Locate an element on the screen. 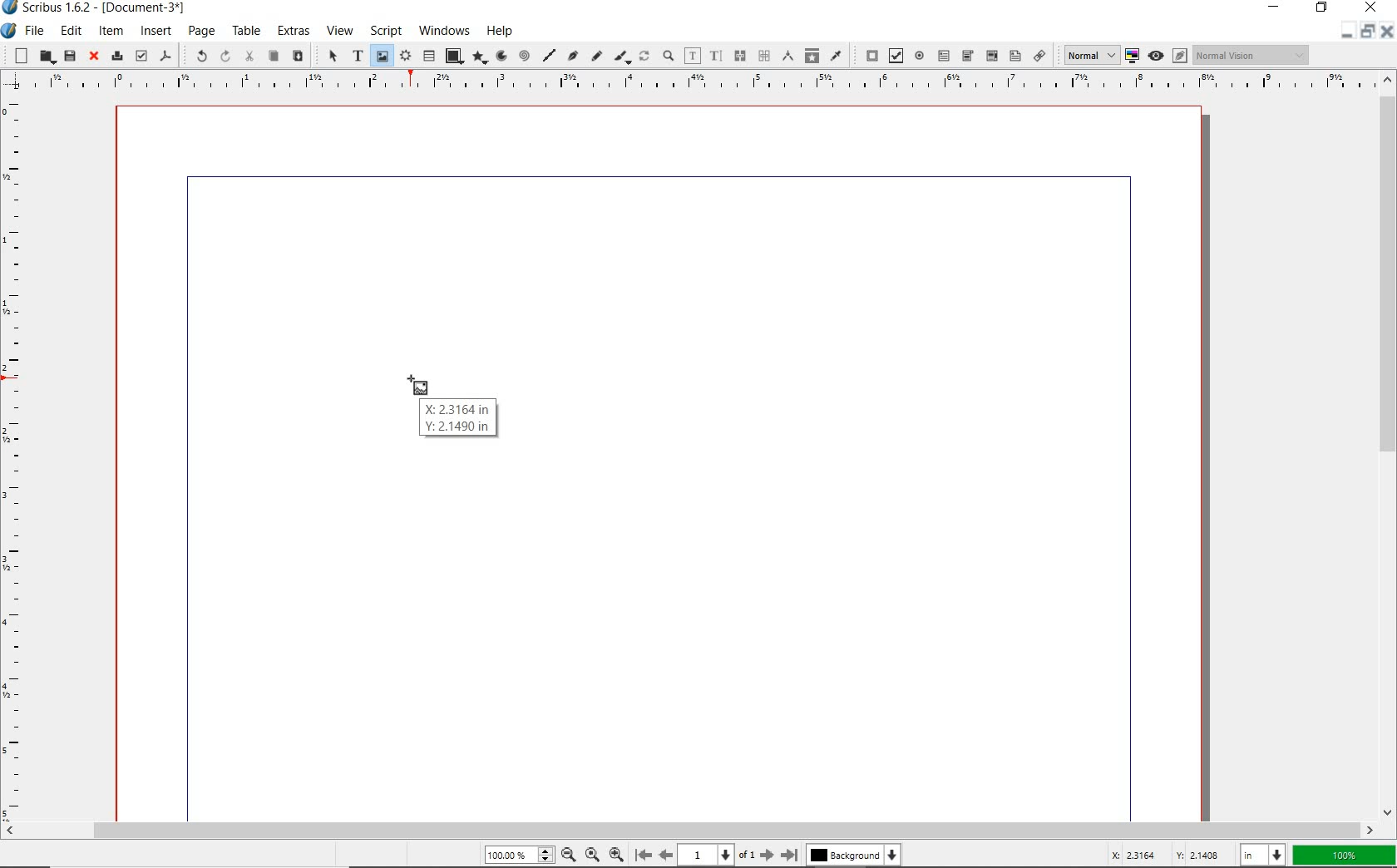 This screenshot has height=868, width=1397. link text frames is located at coordinates (738, 55).